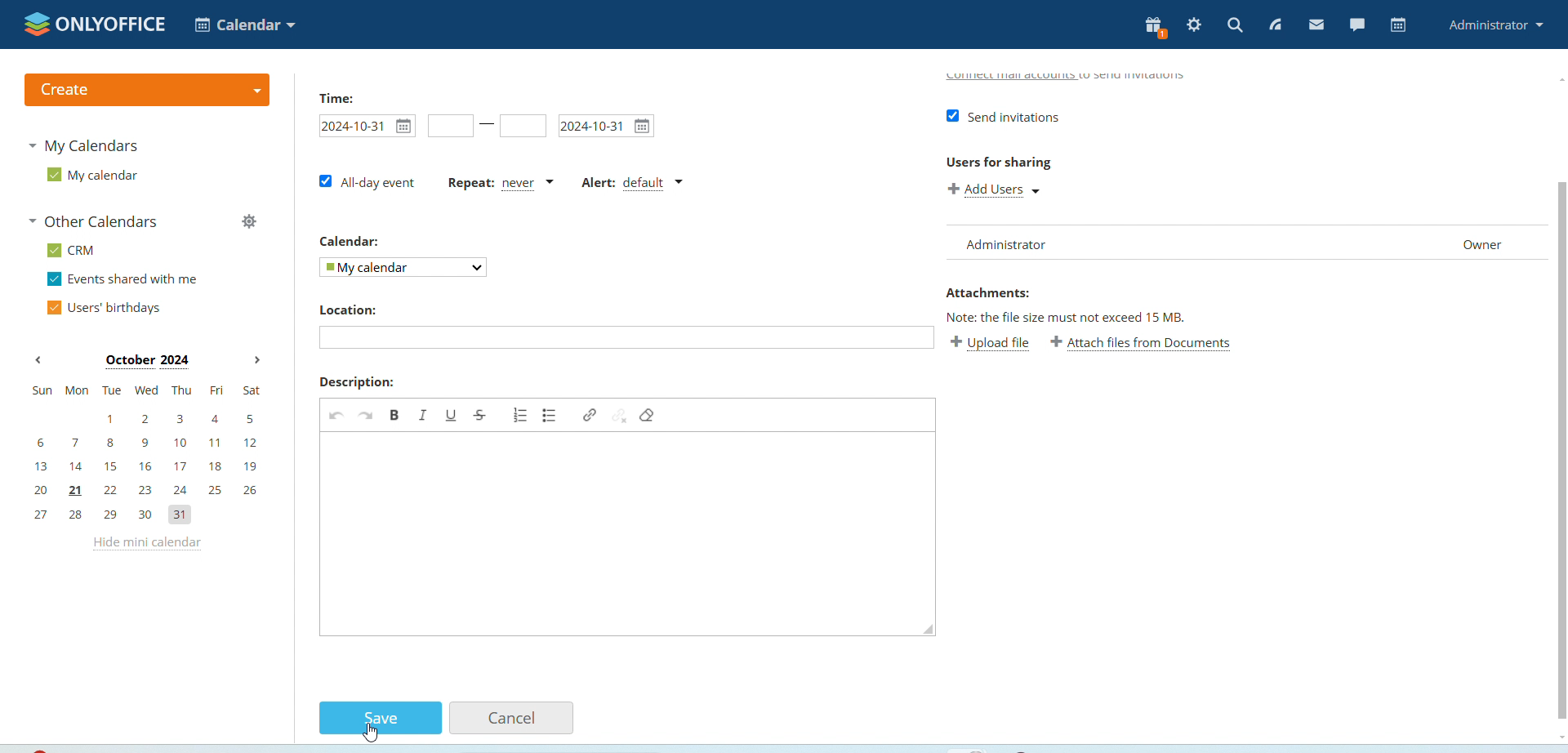 This screenshot has height=753, width=1568. Describe the element at coordinates (509, 720) in the screenshot. I see `cancel` at that location.